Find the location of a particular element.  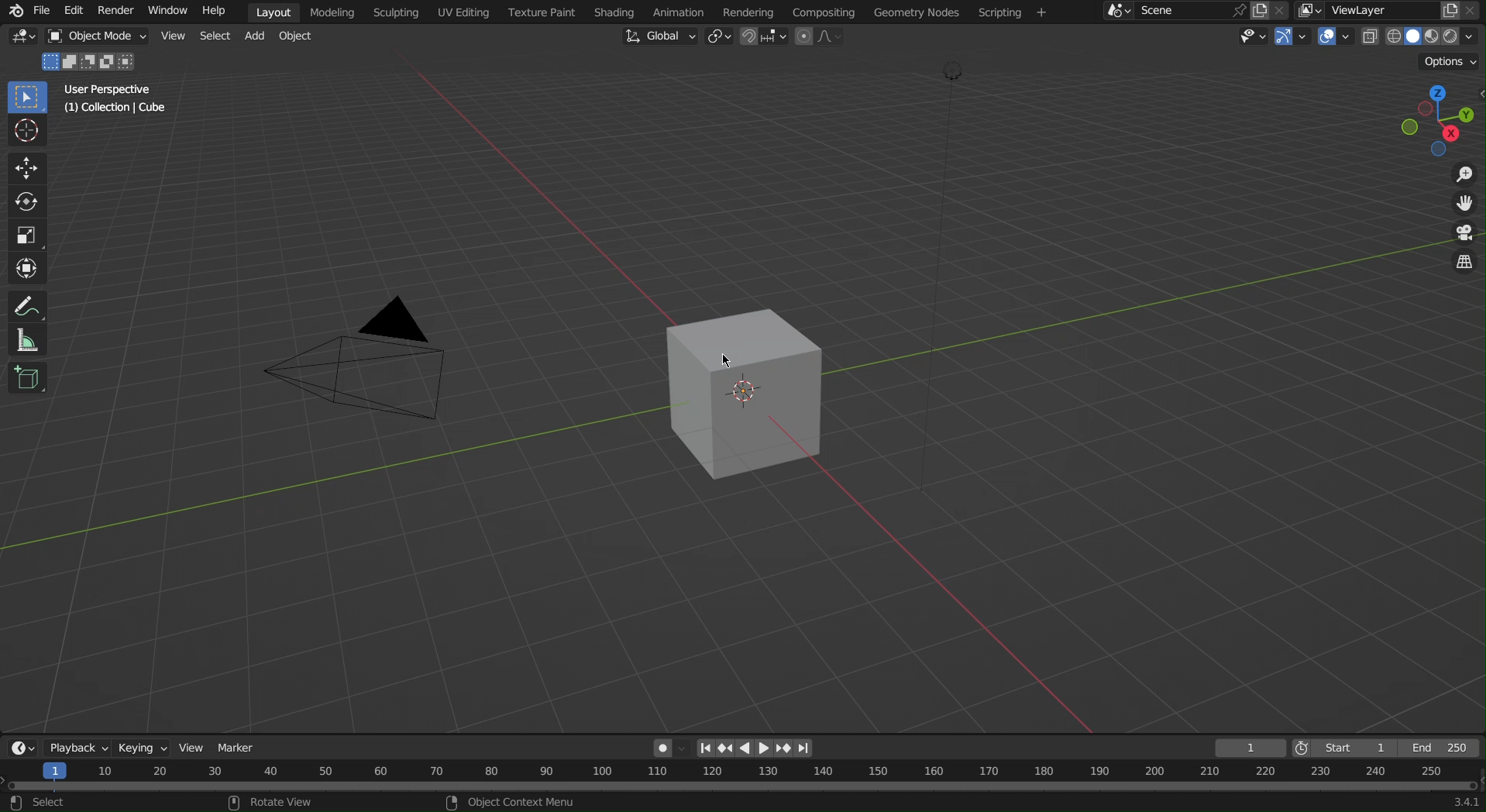

Compositing is located at coordinates (822, 11).